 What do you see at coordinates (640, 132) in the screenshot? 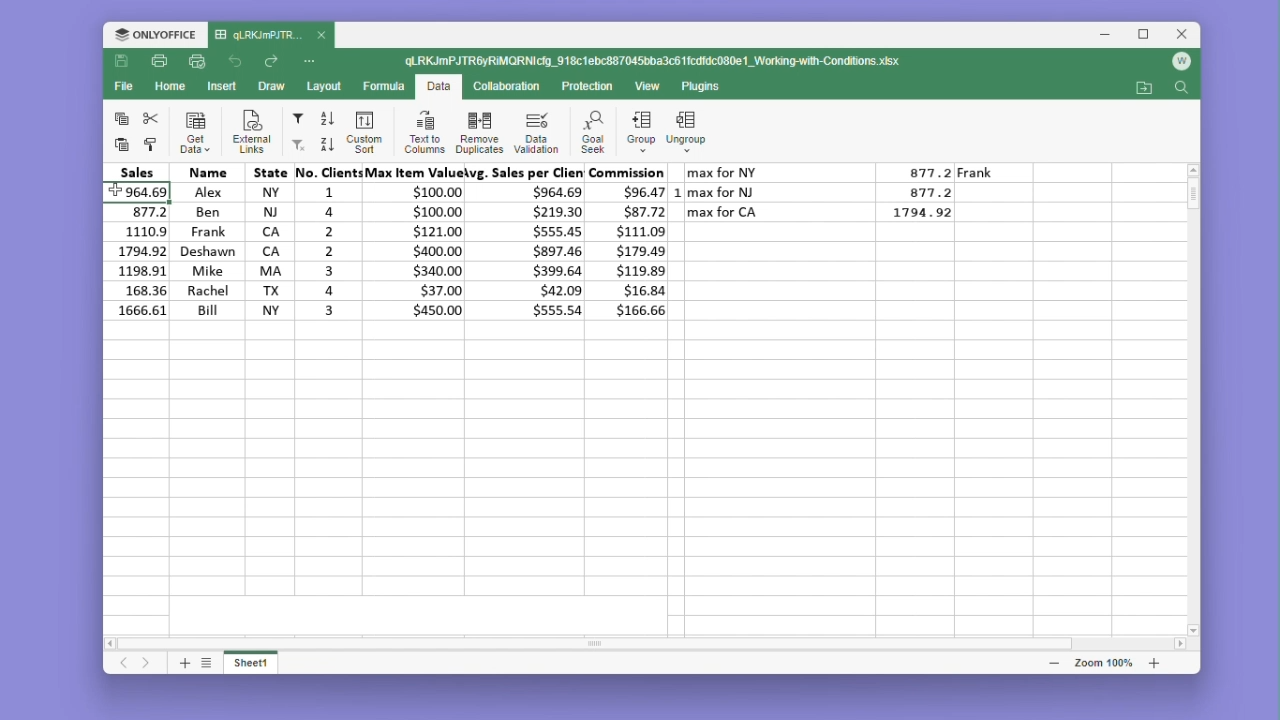
I see `Group` at bounding box center [640, 132].